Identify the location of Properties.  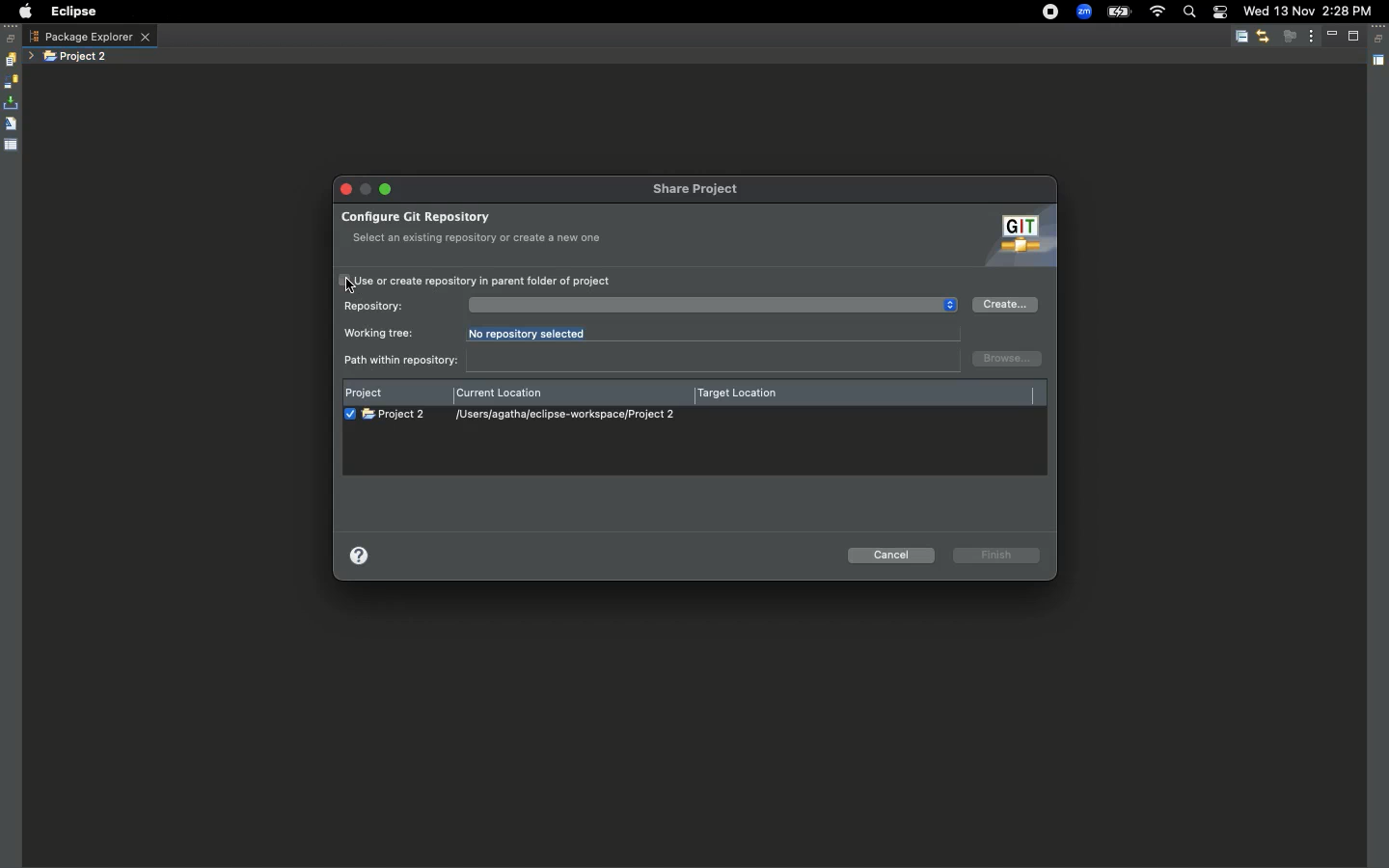
(12, 144).